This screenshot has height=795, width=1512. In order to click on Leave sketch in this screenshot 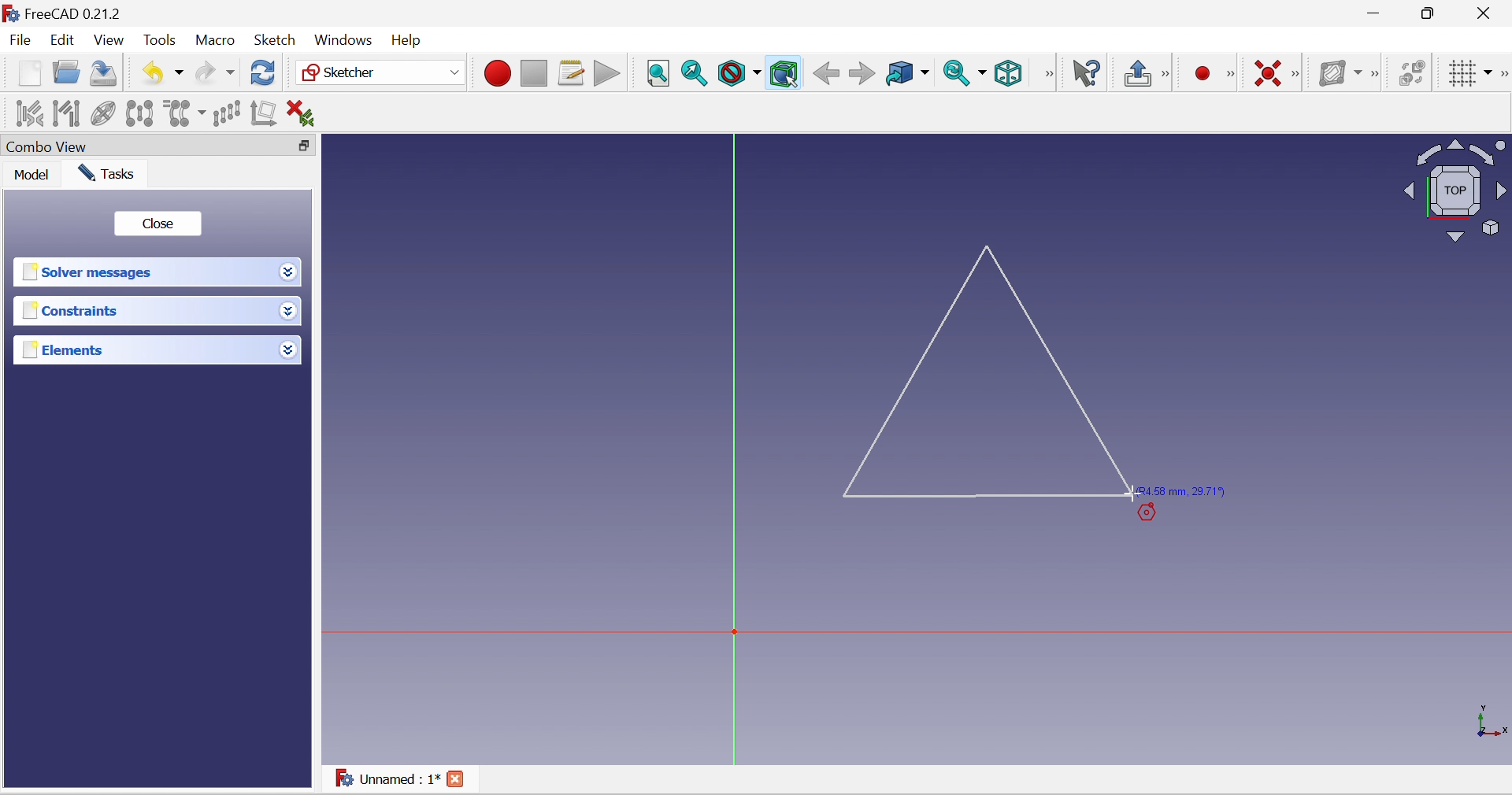, I will do `click(1139, 75)`.